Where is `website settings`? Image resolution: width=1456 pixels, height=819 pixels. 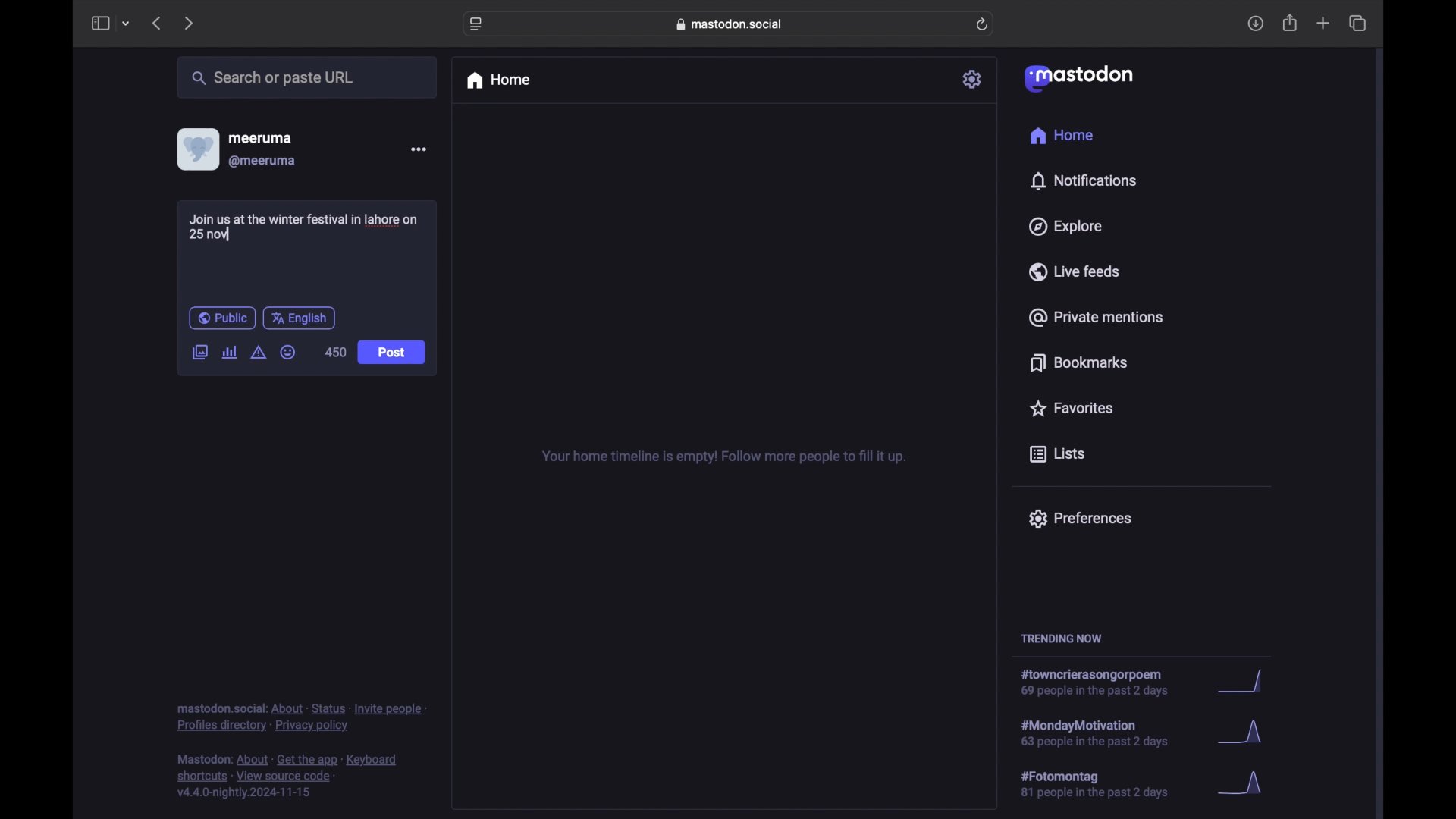
website settings is located at coordinates (478, 24).